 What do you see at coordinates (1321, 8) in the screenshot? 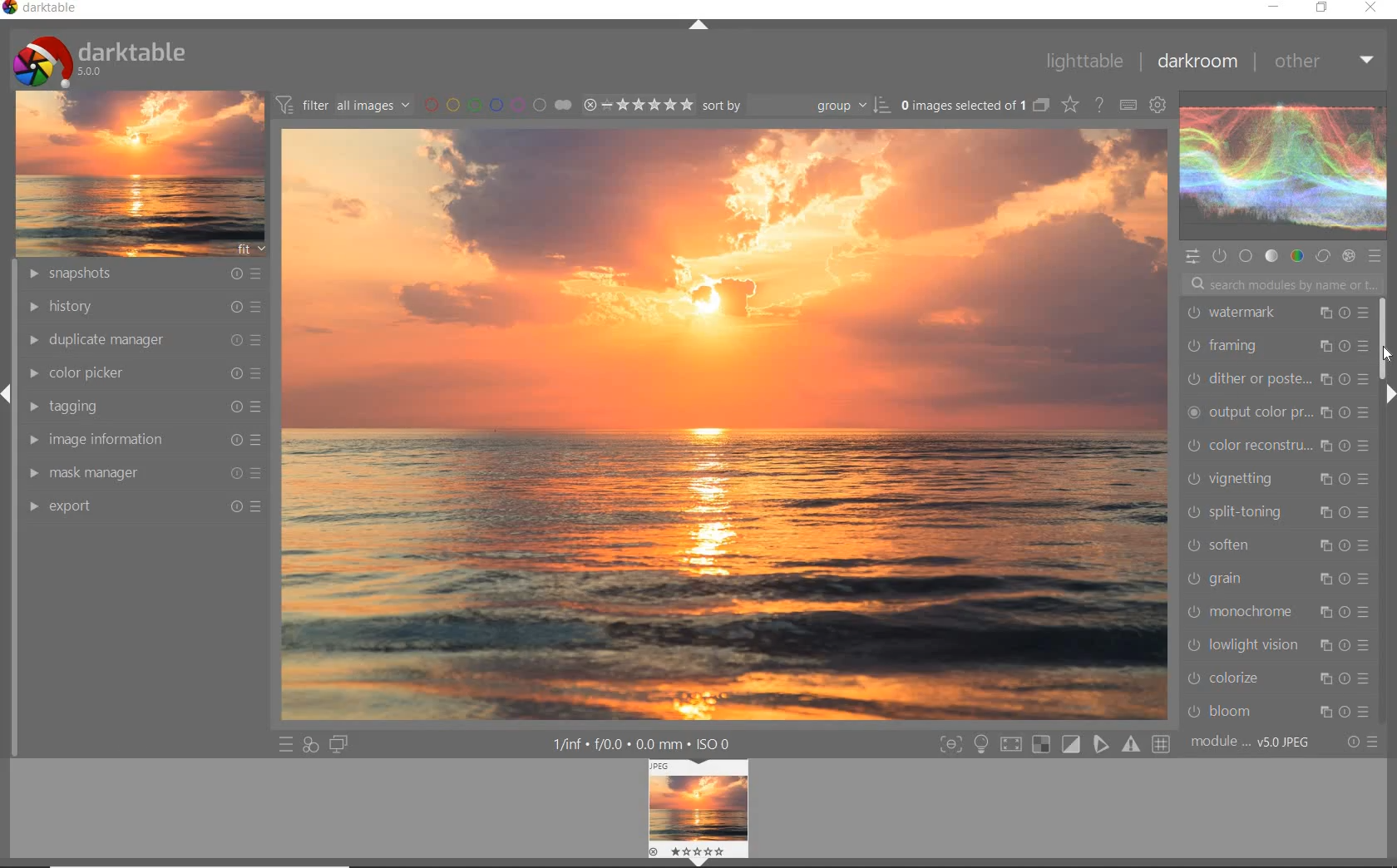
I see `restore` at bounding box center [1321, 8].